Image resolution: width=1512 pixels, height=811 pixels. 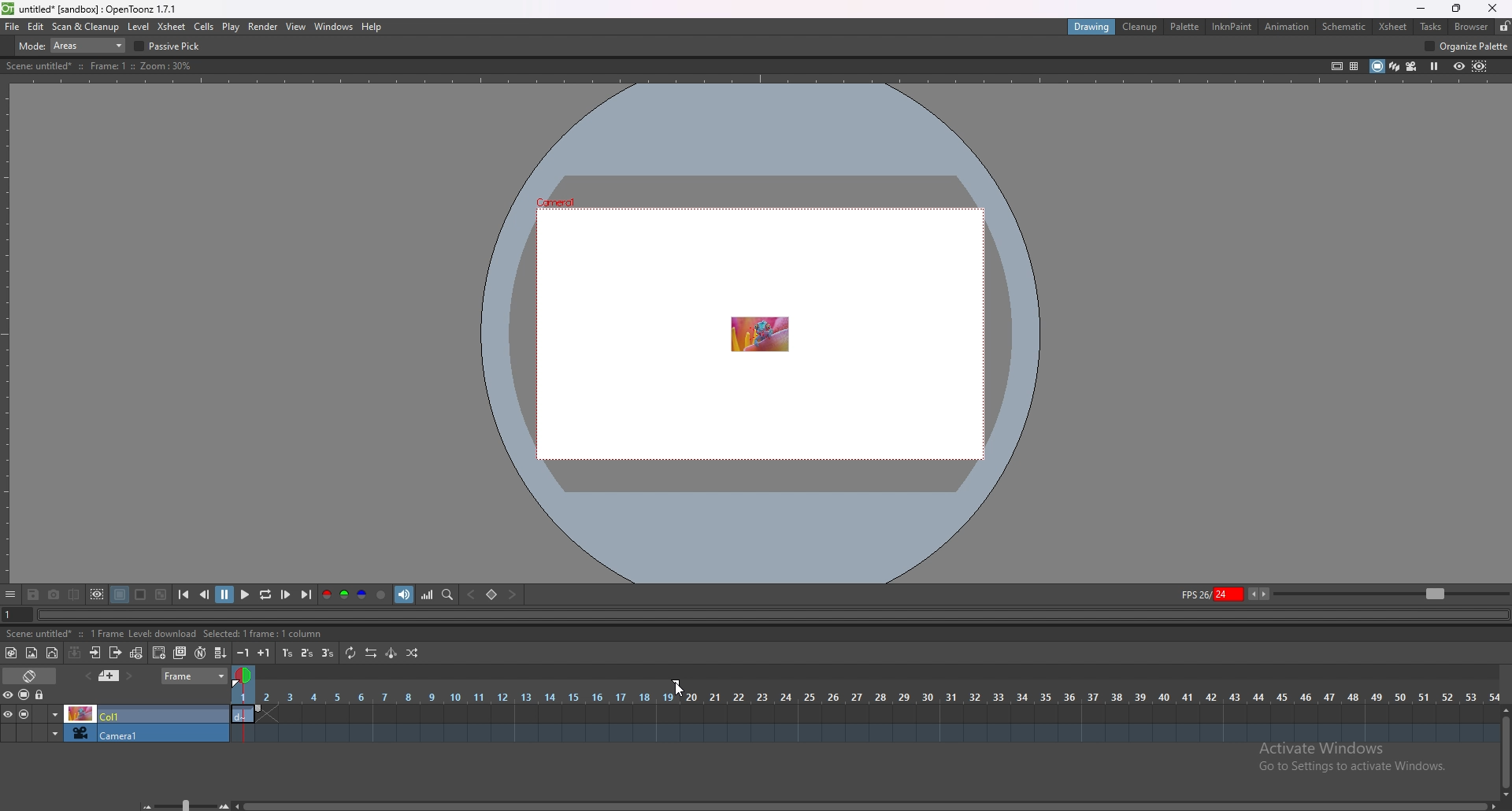 What do you see at coordinates (12, 695) in the screenshot?
I see `visibility toggle` at bounding box center [12, 695].